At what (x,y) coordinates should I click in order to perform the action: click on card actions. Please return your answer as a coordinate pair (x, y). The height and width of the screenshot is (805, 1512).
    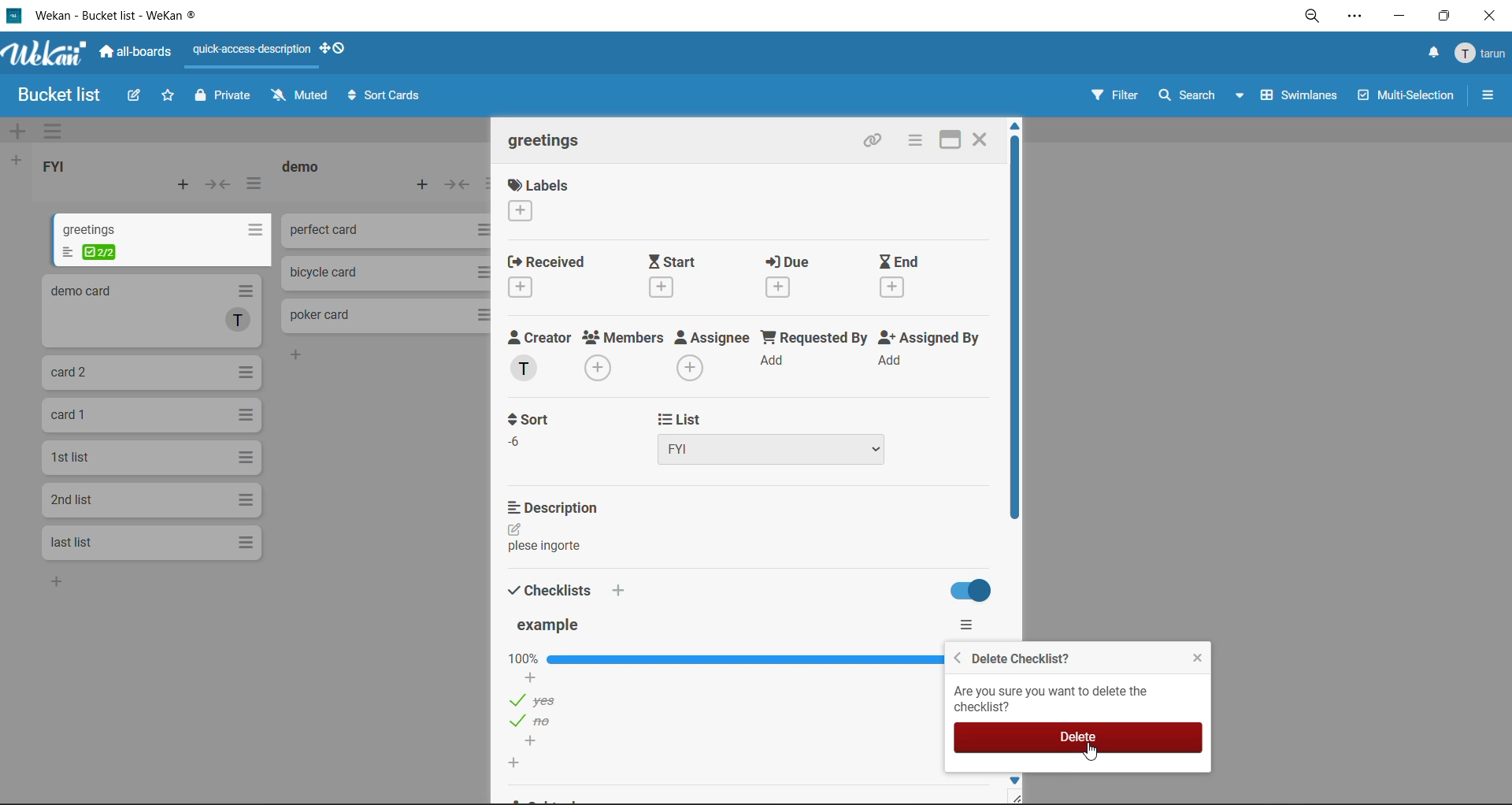
    Looking at the image, I should click on (914, 141).